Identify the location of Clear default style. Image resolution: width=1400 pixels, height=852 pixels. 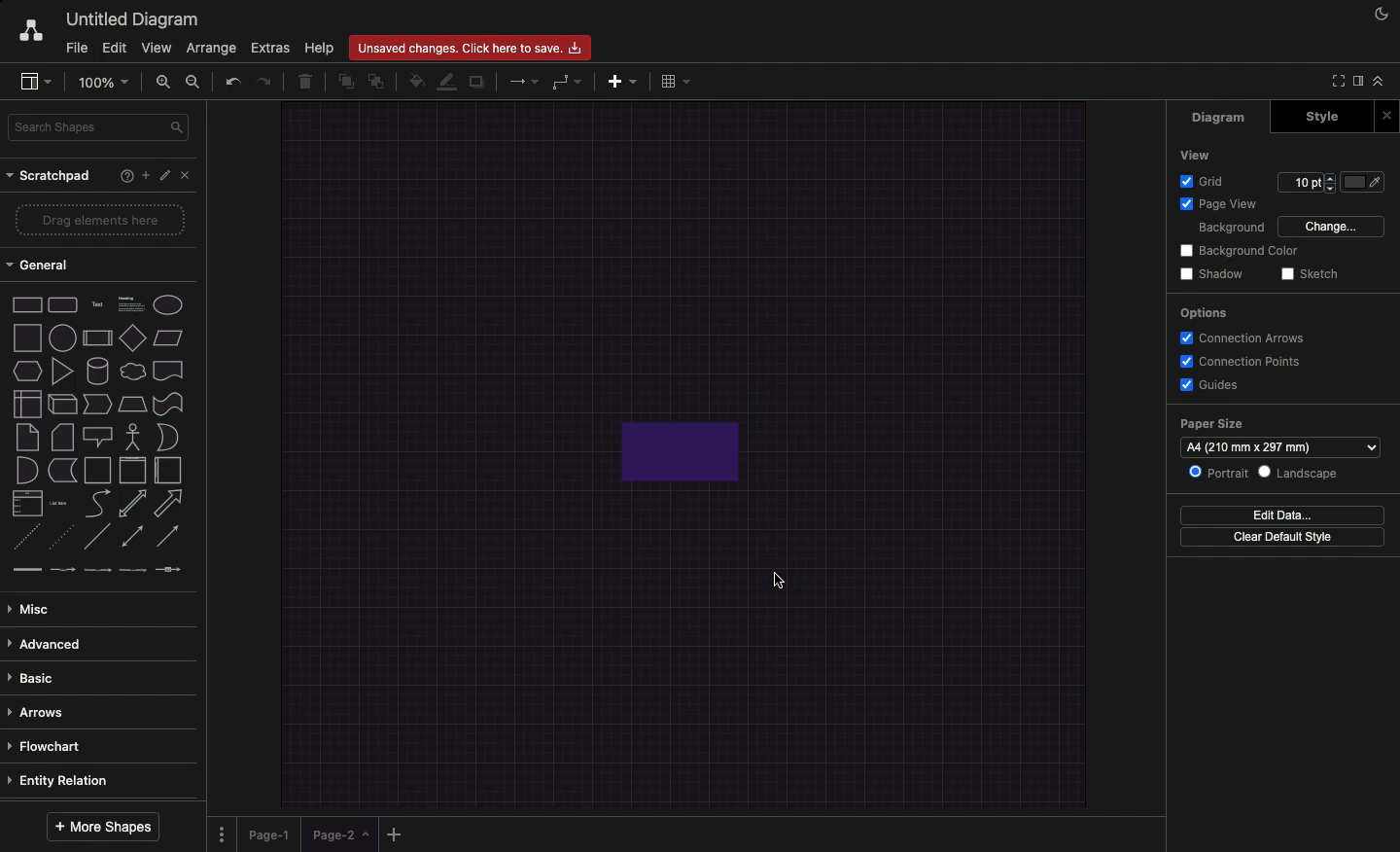
(1284, 540).